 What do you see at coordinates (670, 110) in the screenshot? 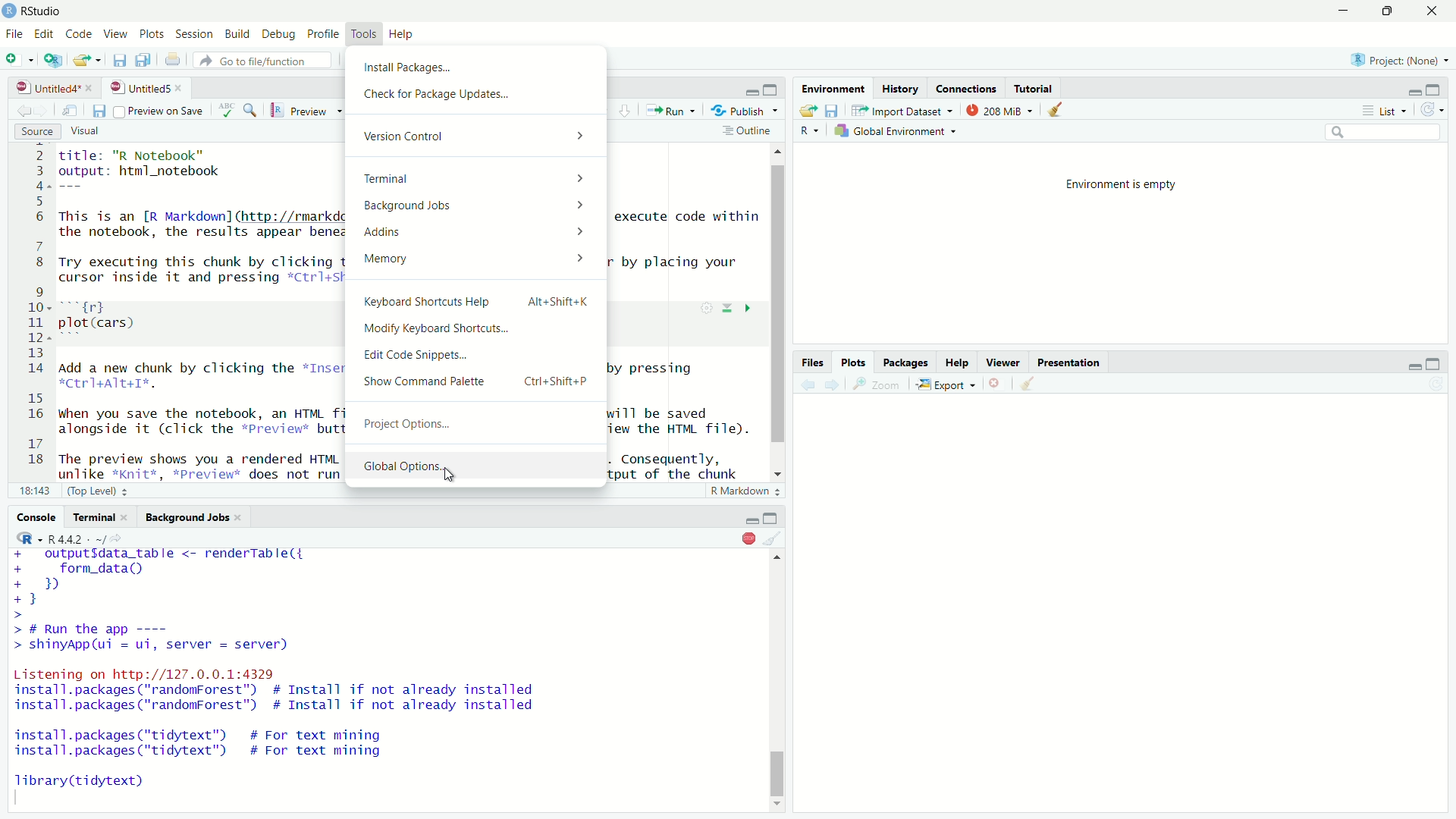
I see `Run` at bounding box center [670, 110].